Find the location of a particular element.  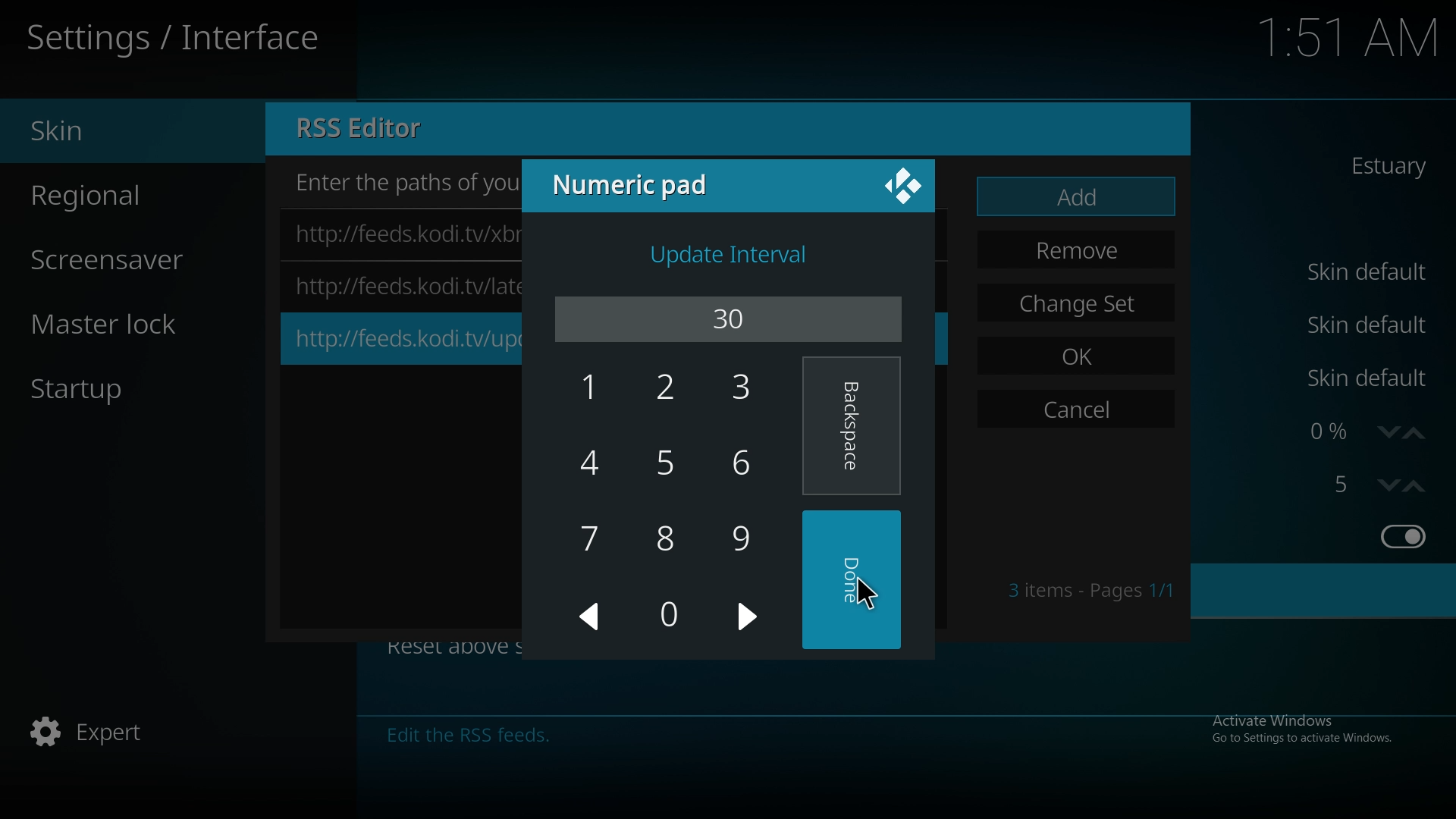

0 is located at coordinates (664, 615).